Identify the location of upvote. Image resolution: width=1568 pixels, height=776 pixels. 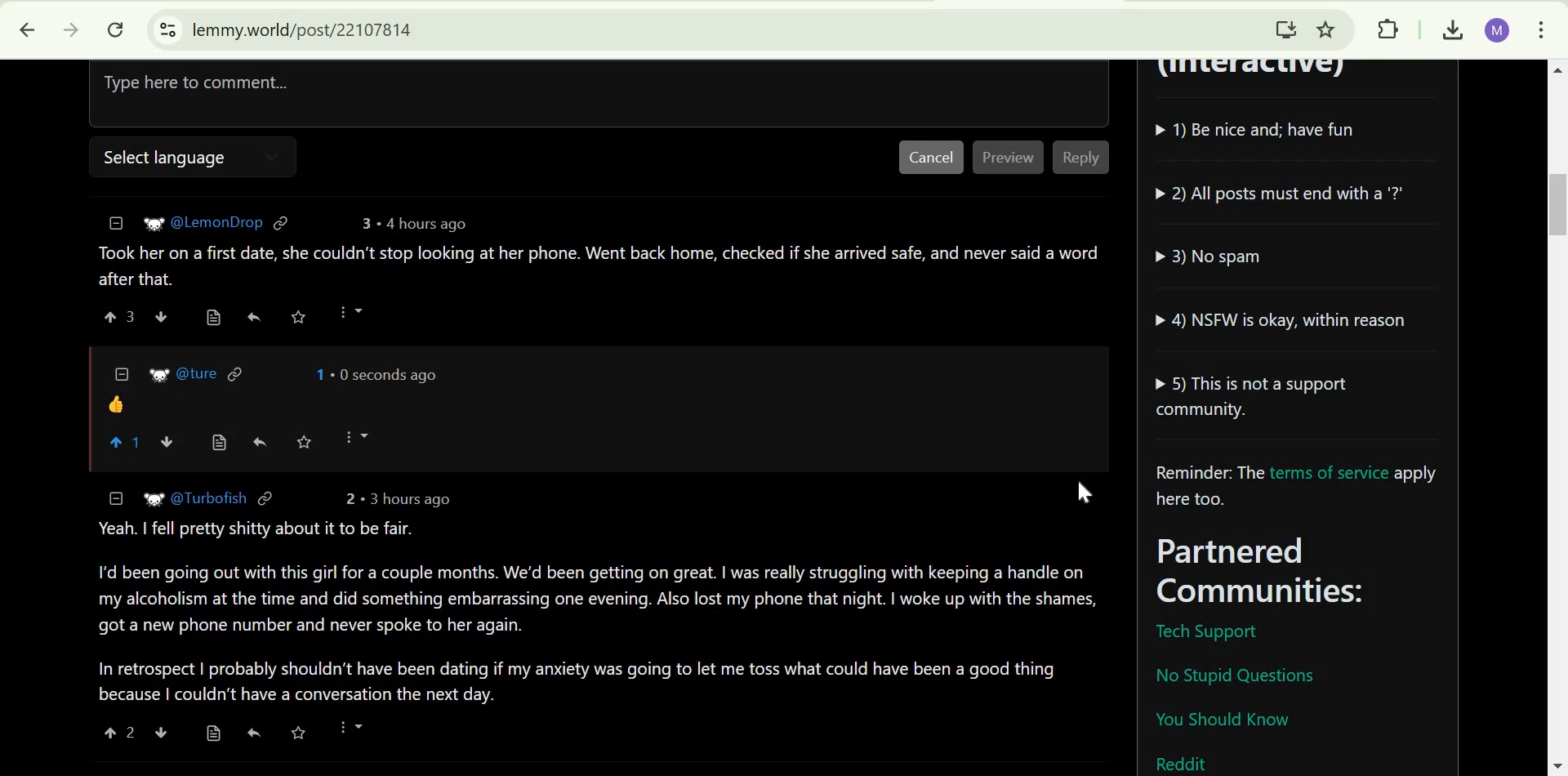
(121, 316).